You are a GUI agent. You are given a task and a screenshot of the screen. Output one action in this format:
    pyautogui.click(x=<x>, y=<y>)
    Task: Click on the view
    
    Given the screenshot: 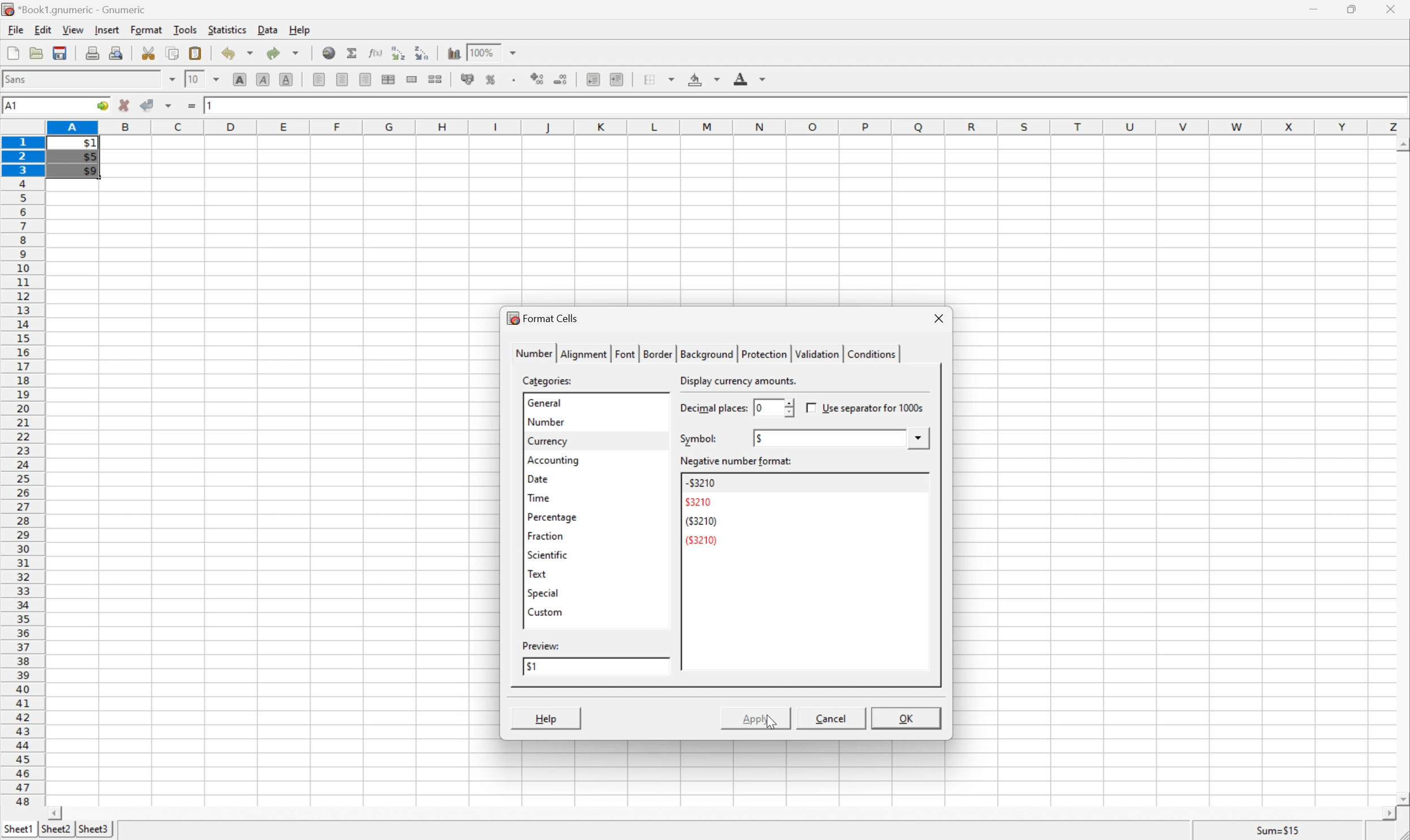 What is the action you would take?
    pyautogui.click(x=74, y=29)
    